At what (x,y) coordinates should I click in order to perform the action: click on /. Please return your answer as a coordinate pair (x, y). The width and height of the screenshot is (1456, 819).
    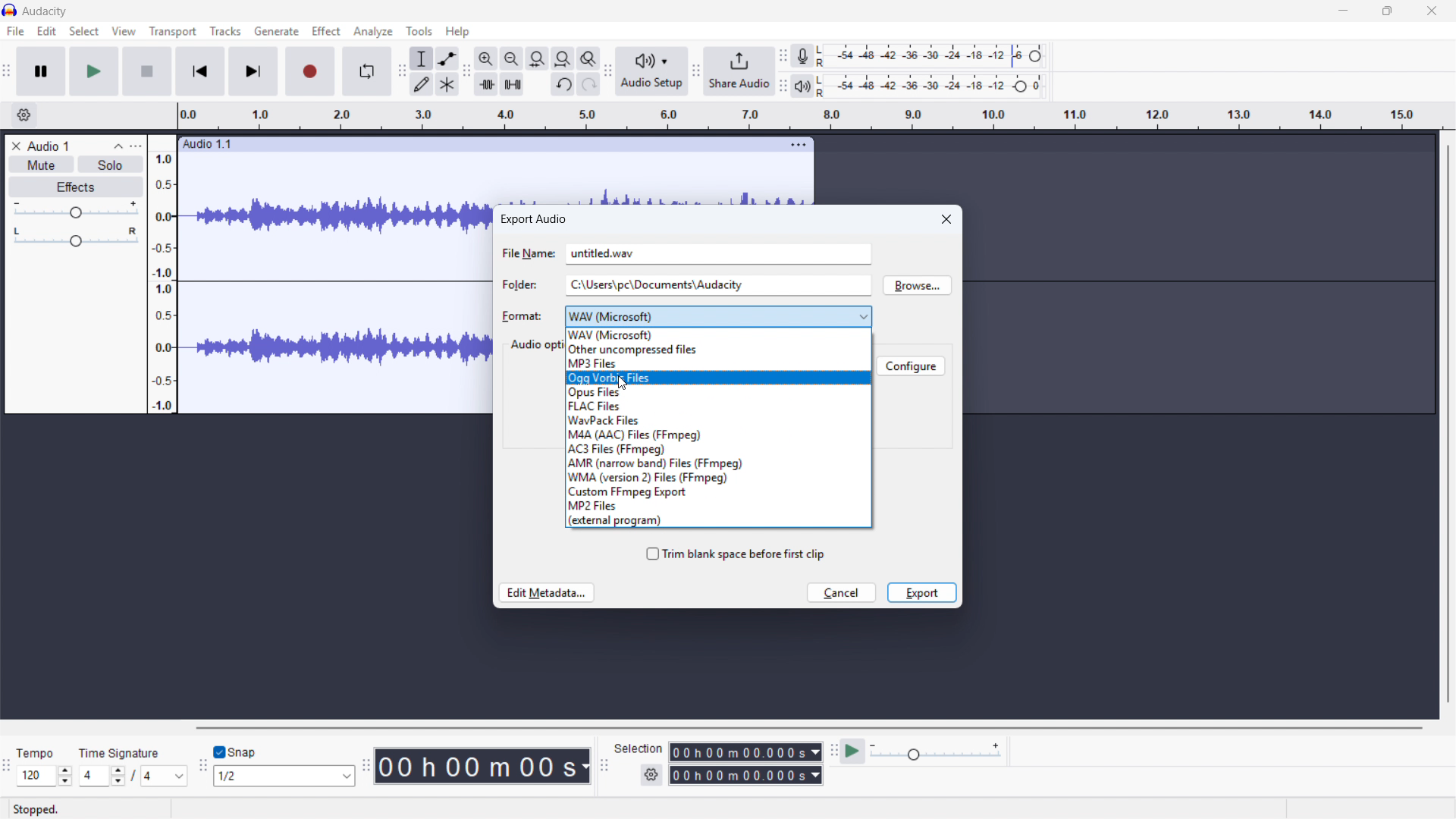
    Looking at the image, I should click on (135, 775).